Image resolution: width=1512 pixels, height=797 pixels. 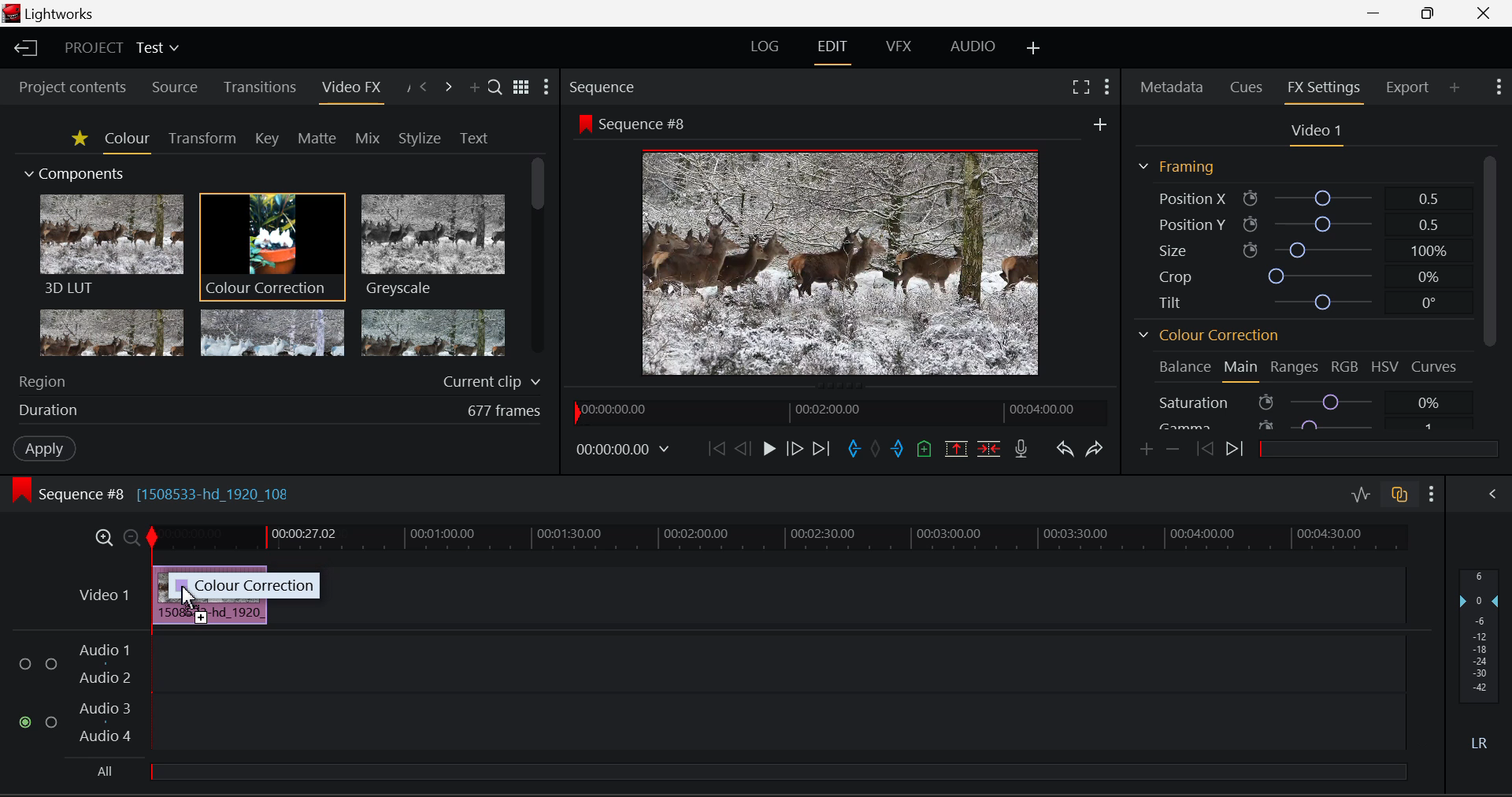 I want to click on Metadata, so click(x=1172, y=88).